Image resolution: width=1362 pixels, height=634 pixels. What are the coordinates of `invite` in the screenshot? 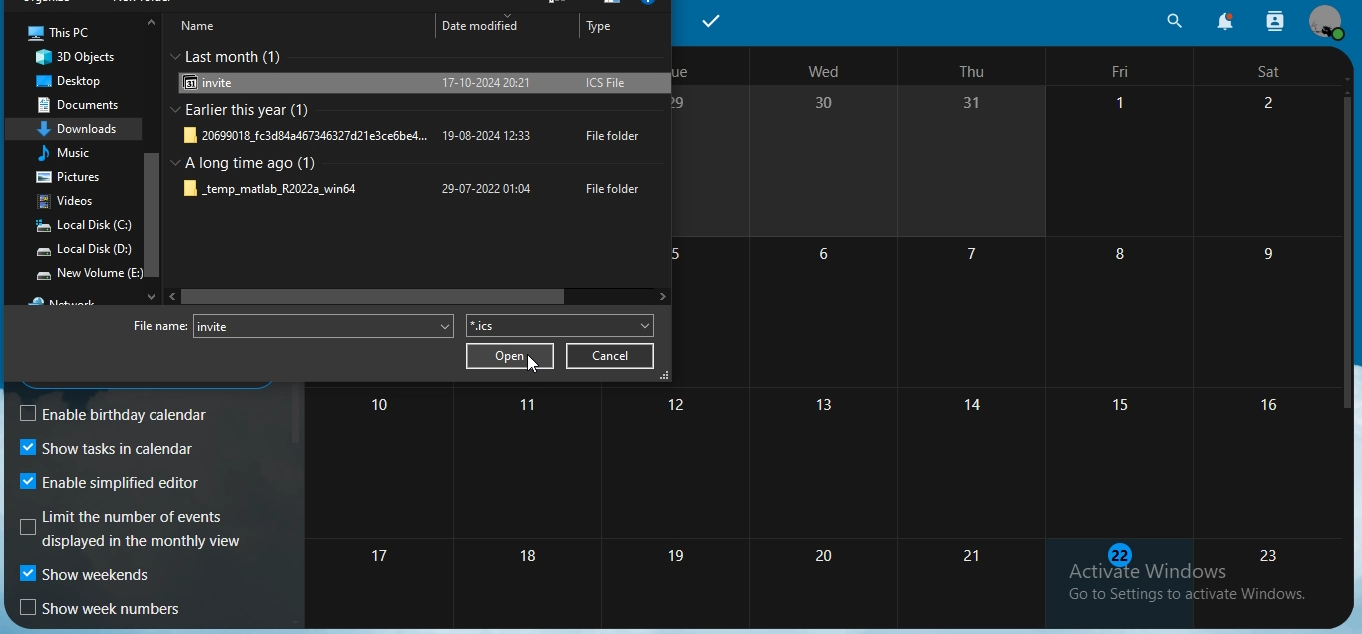 It's located at (322, 327).